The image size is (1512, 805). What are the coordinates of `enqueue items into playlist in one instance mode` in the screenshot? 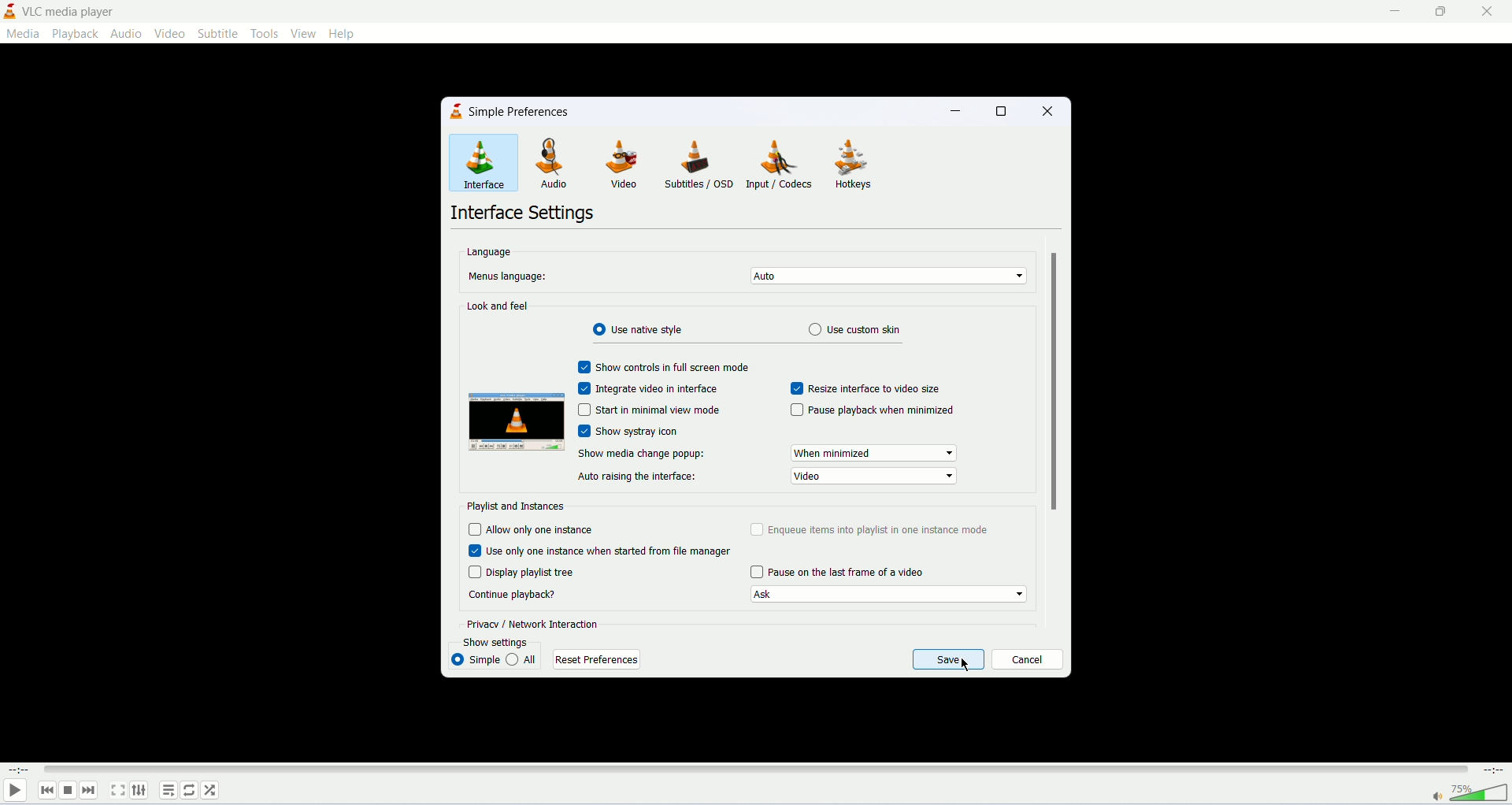 It's located at (871, 529).